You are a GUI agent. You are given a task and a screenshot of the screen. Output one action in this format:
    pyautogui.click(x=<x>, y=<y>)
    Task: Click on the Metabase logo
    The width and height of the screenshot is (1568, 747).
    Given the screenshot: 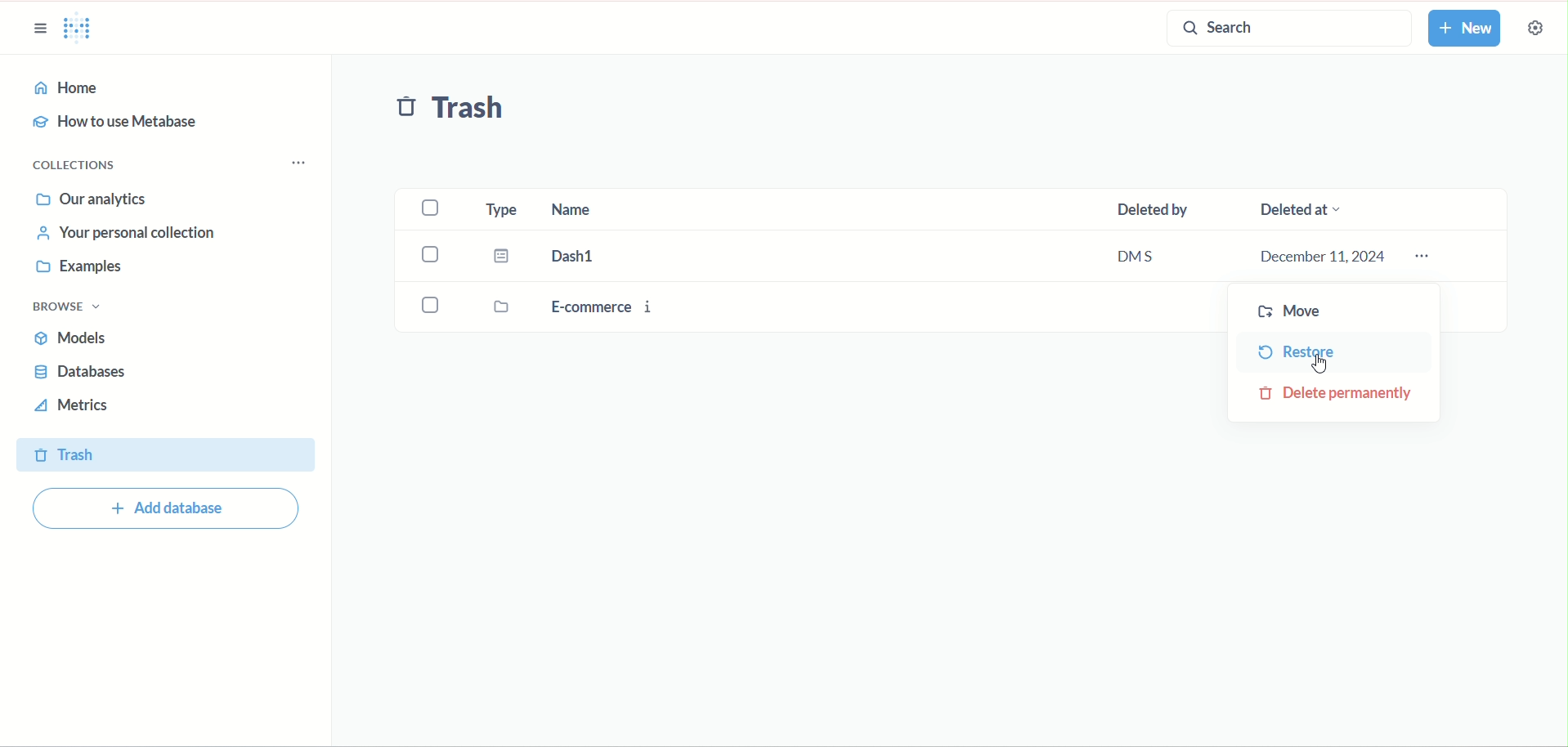 What is the action you would take?
    pyautogui.click(x=83, y=30)
    